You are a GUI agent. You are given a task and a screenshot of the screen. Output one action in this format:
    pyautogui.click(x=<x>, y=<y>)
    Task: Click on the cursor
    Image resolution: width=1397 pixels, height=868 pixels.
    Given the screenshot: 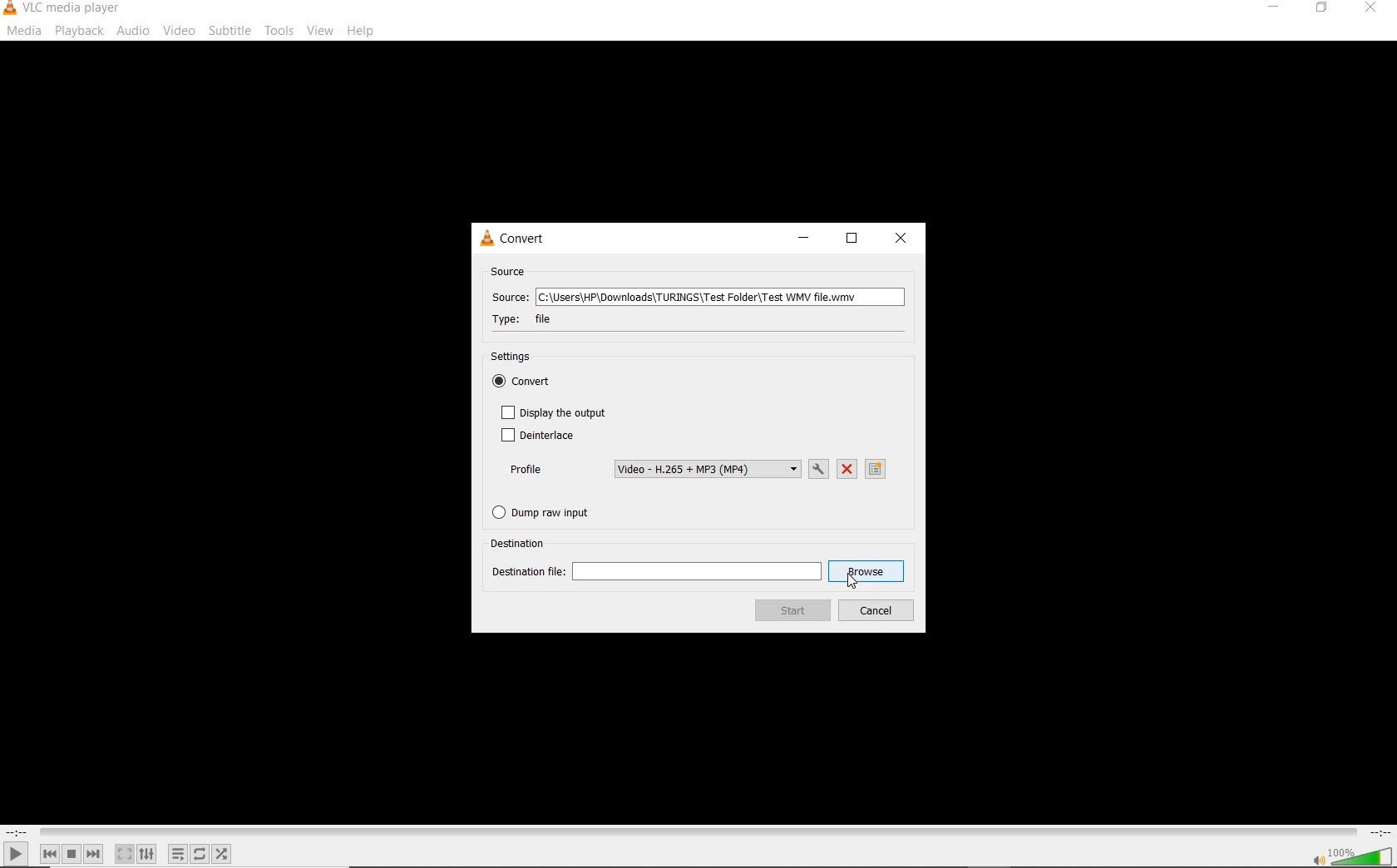 What is the action you would take?
    pyautogui.click(x=852, y=581)
    